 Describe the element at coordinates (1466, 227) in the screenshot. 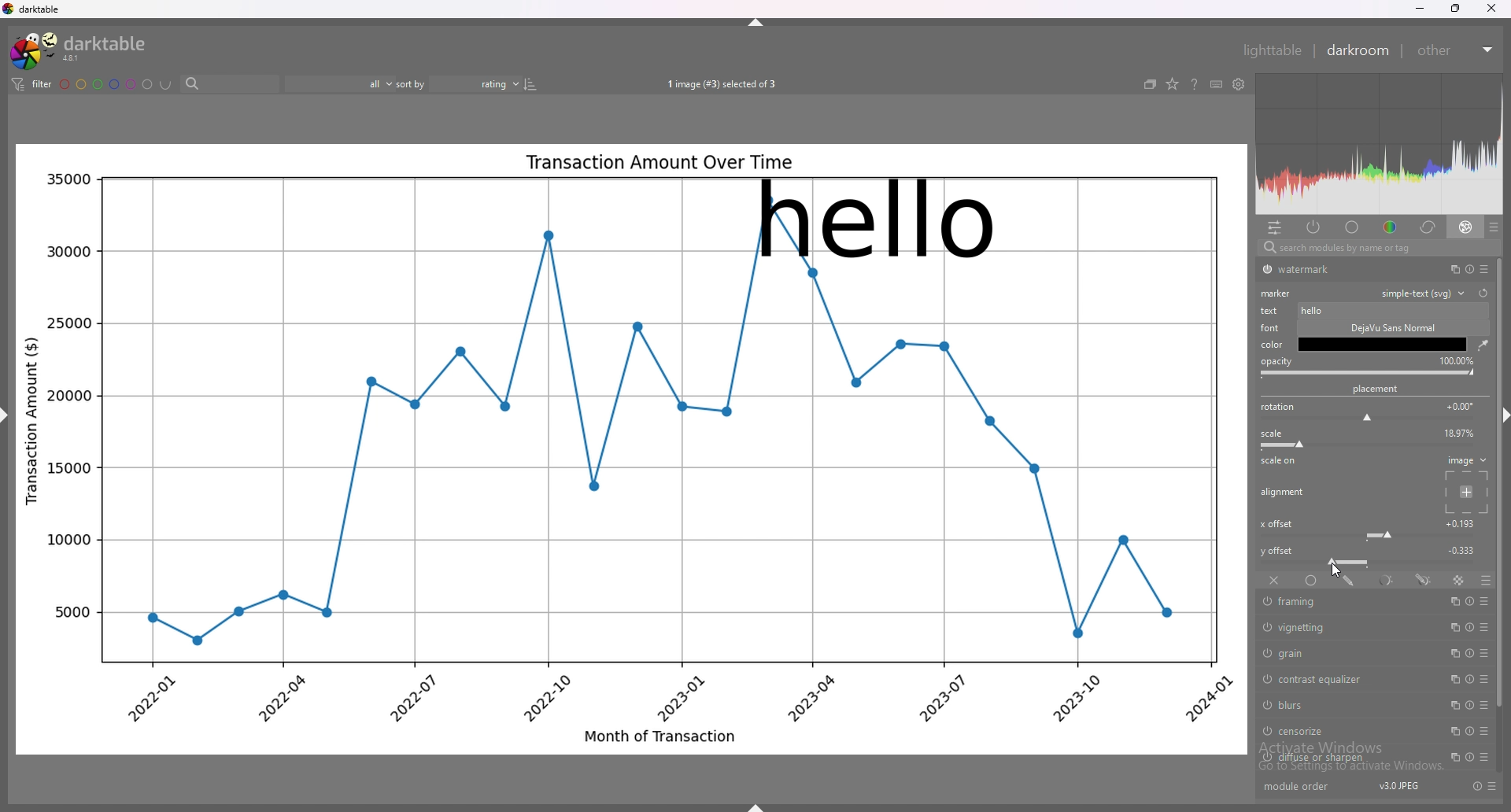

I see `effect` at that location.